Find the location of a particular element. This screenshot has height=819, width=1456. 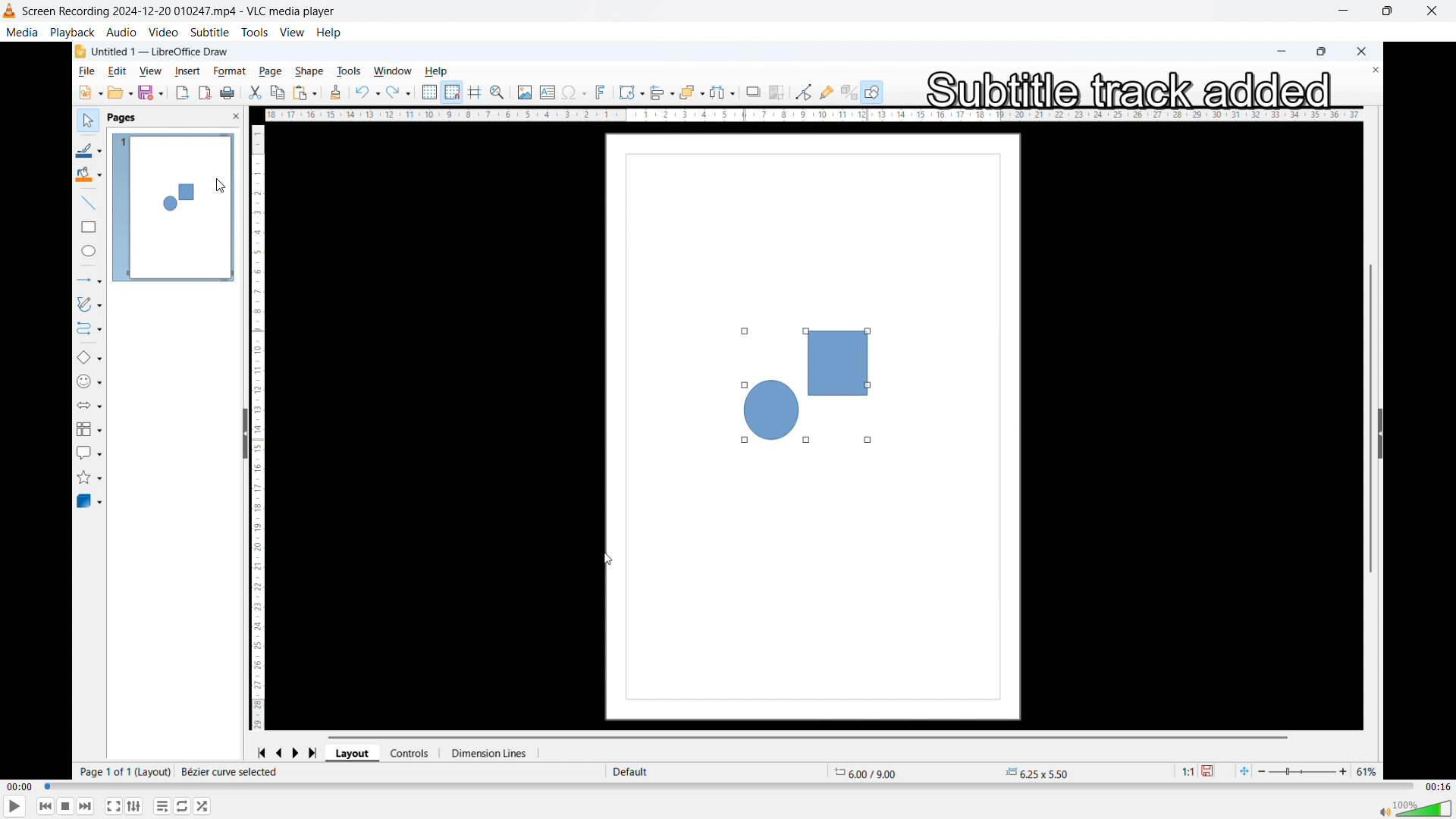

toggle point edit mode is located at coordinates (803, 91).